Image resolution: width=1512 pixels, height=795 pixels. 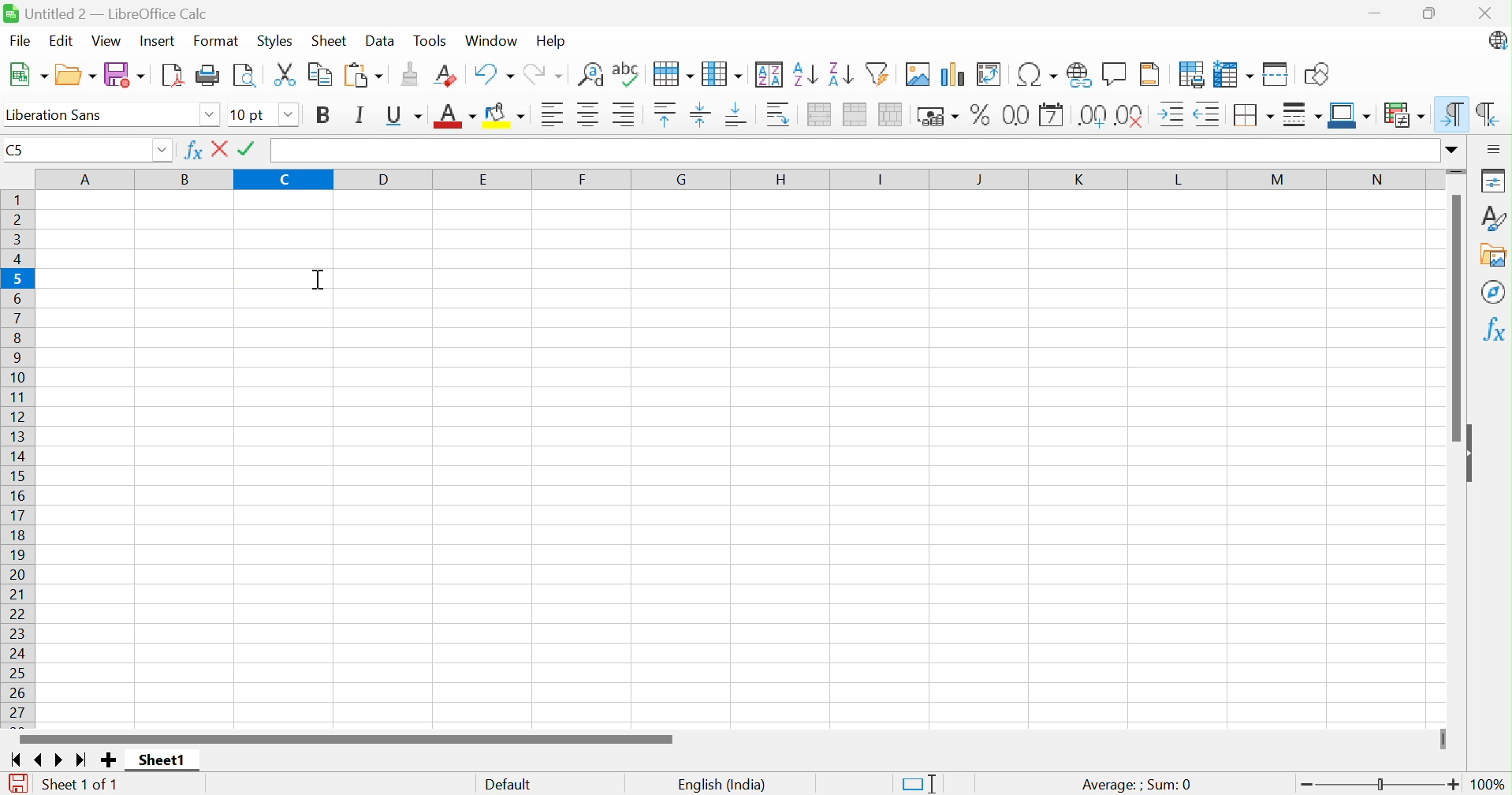 What do you see at coordinates (84, 760) in the screenshot?
I see `Scroll to last sheet` at bounding box center [84, 760].